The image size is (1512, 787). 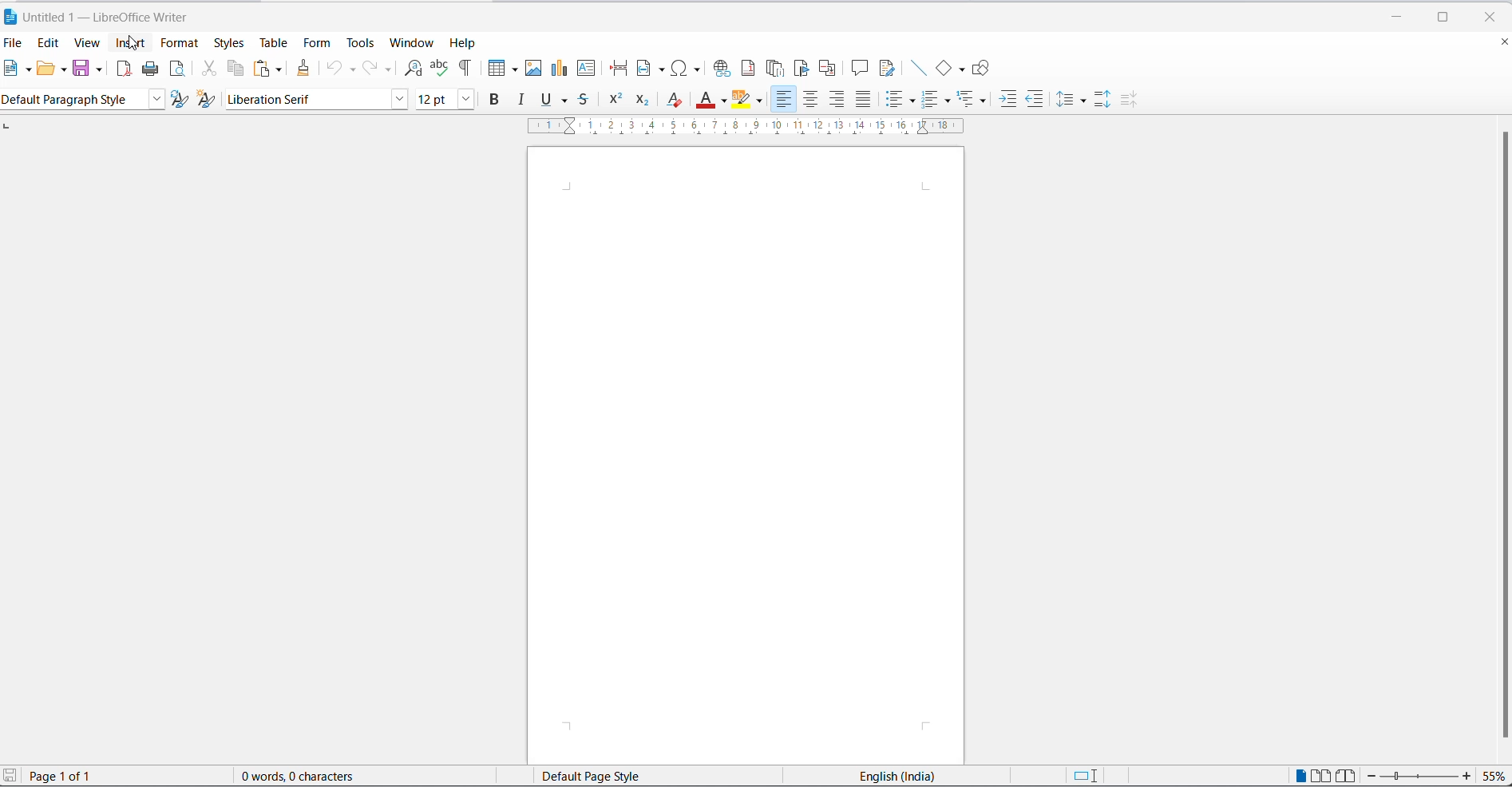 What do you see at coordinates (352, 69) in the screenshot?
I see `undo options` at bounding box center [352, 69].